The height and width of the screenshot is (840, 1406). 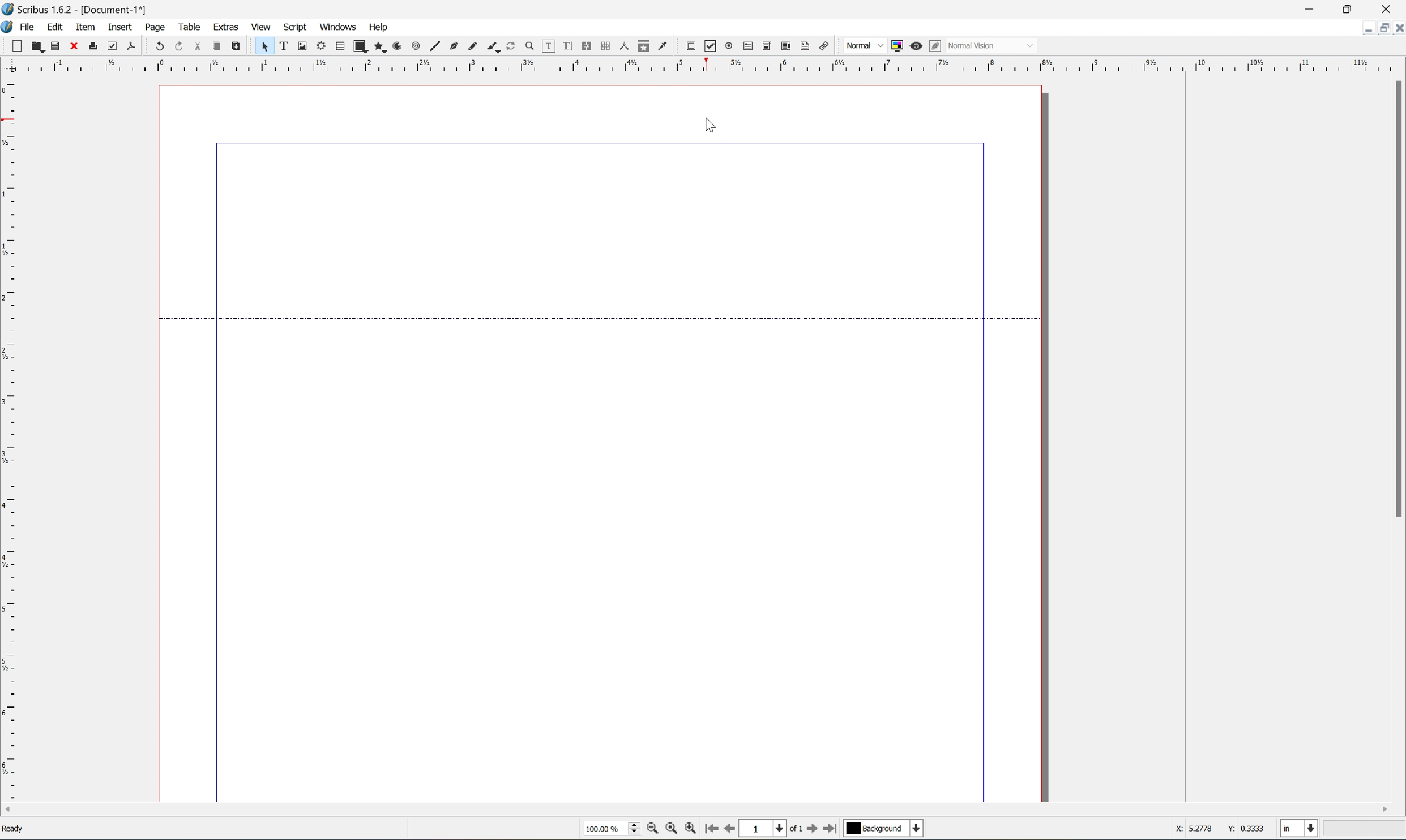 What do you see at coordinates (916, 45) in the screenshot?
I see `preview mode` at bounding box center [916, 45].